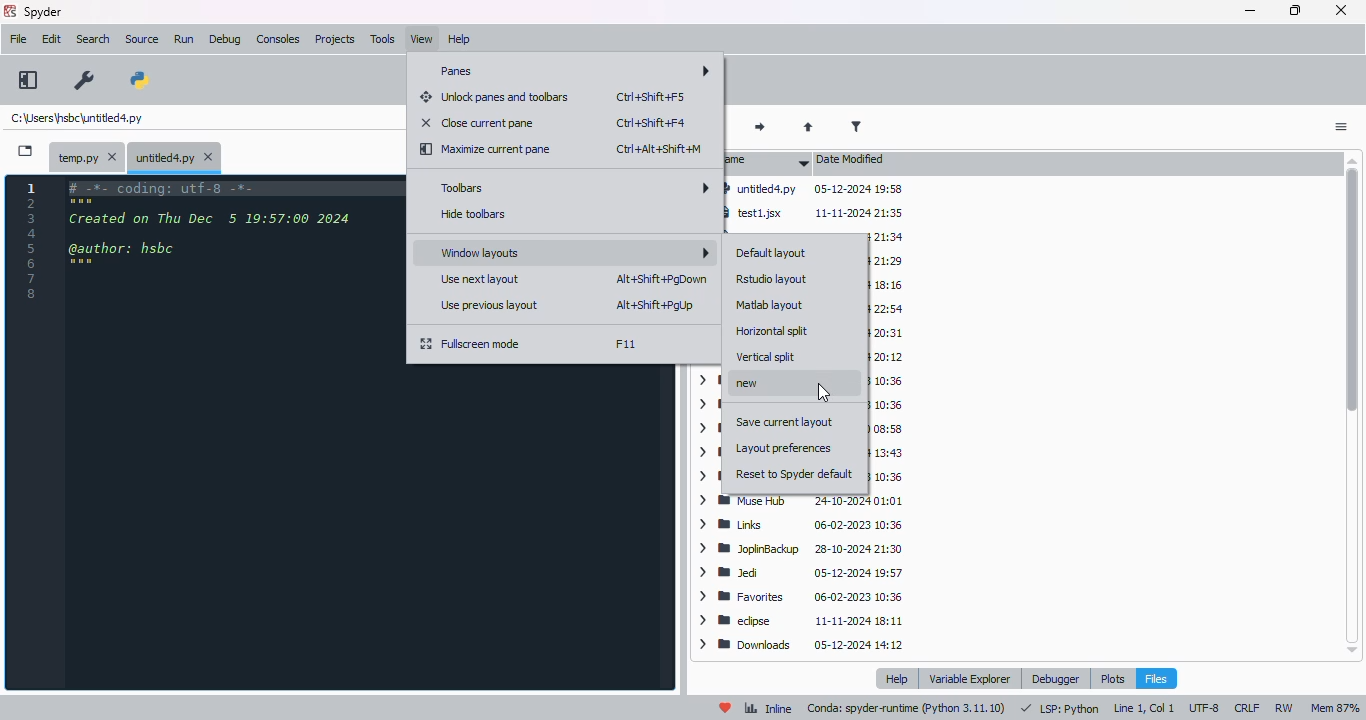  What do you see at coordinates (713, 128) in the screenshot?
I see `back` at bounding box center [713, 128].